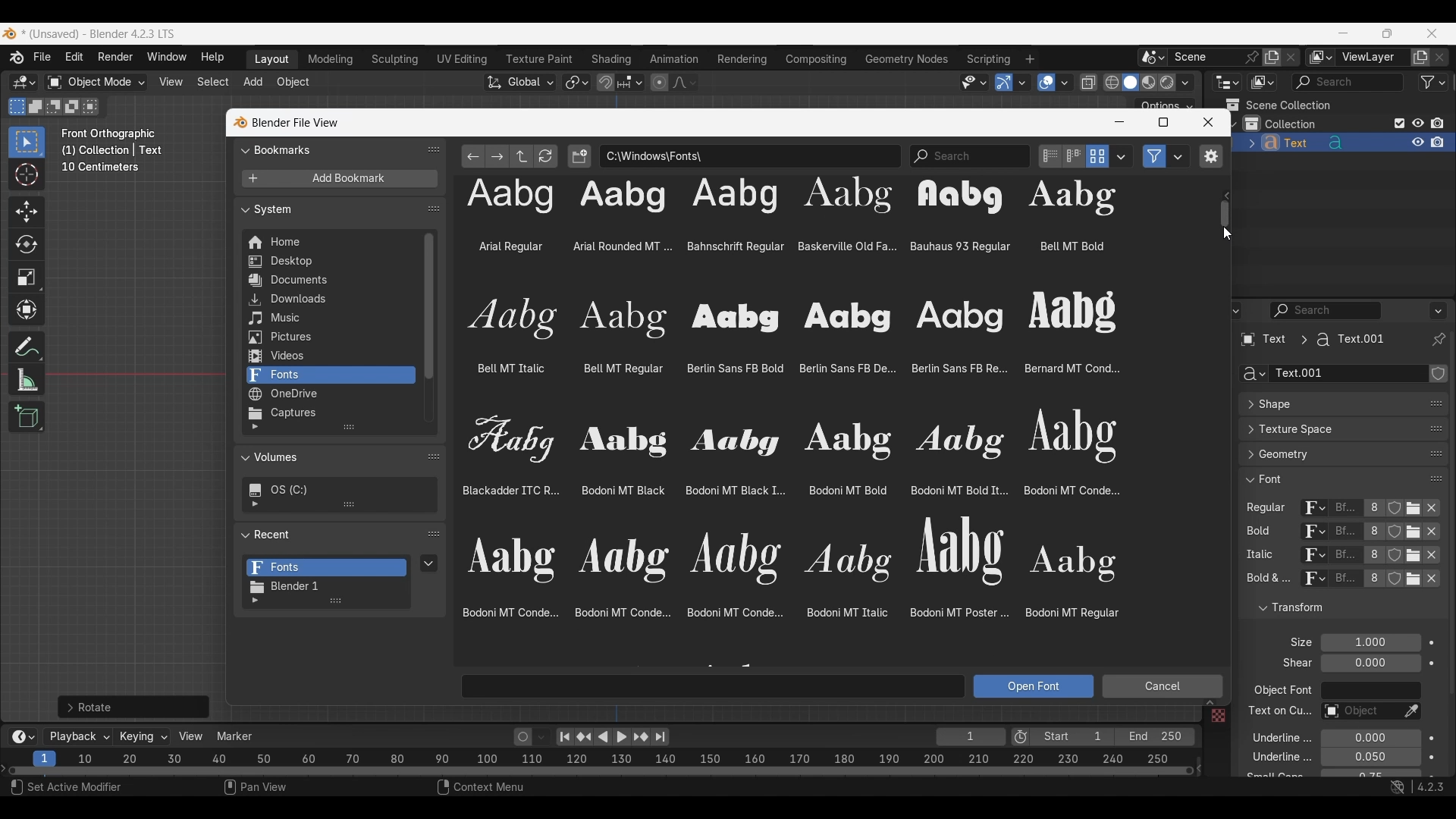 The width and height of the screenshot is (1456, 819). Describe the element at coordinates (330, 356) in the screenshot. I see `Videos folder` at that location.